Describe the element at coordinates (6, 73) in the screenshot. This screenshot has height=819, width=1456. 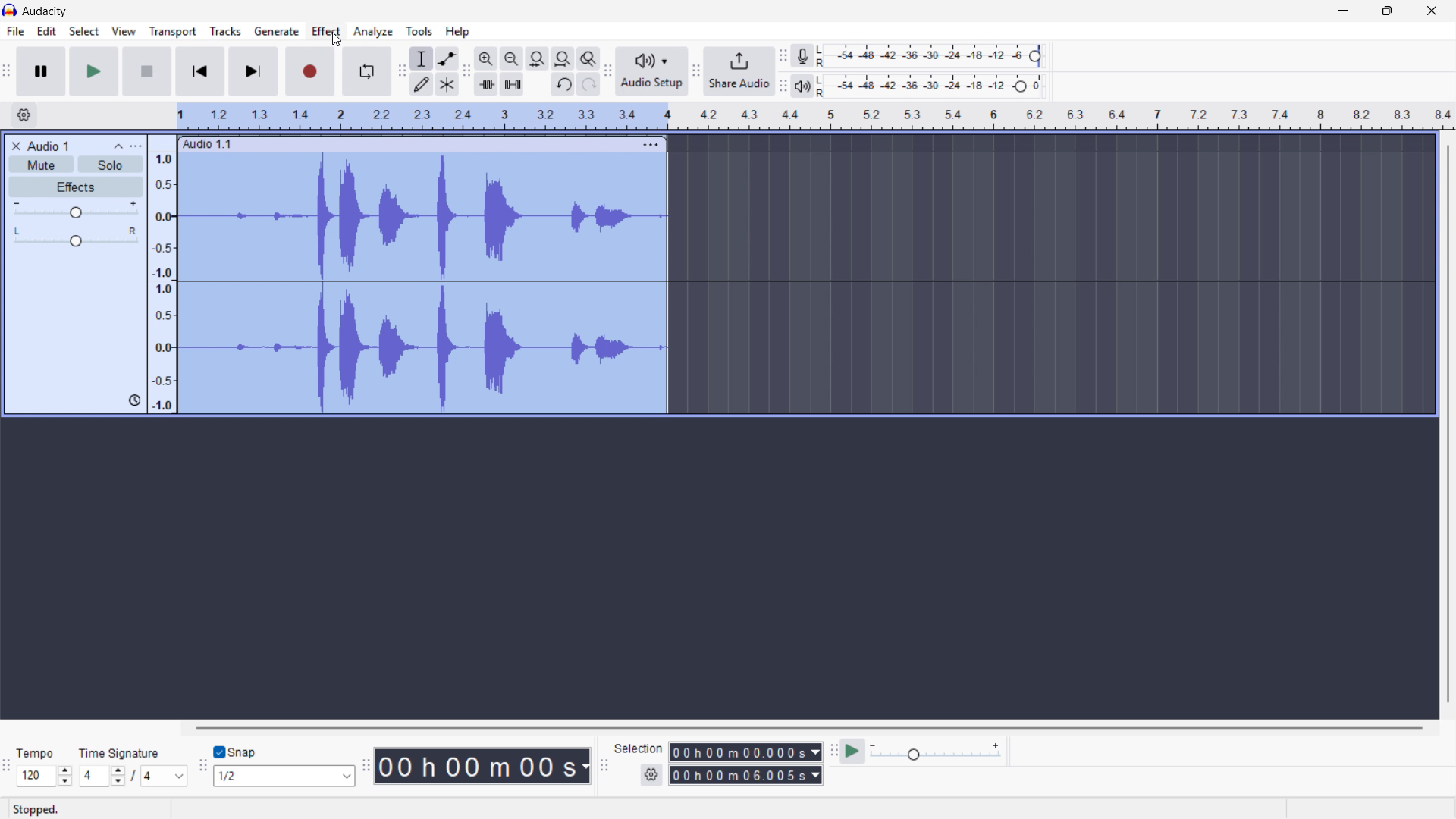
I see `Transport toolbar ` at that location.